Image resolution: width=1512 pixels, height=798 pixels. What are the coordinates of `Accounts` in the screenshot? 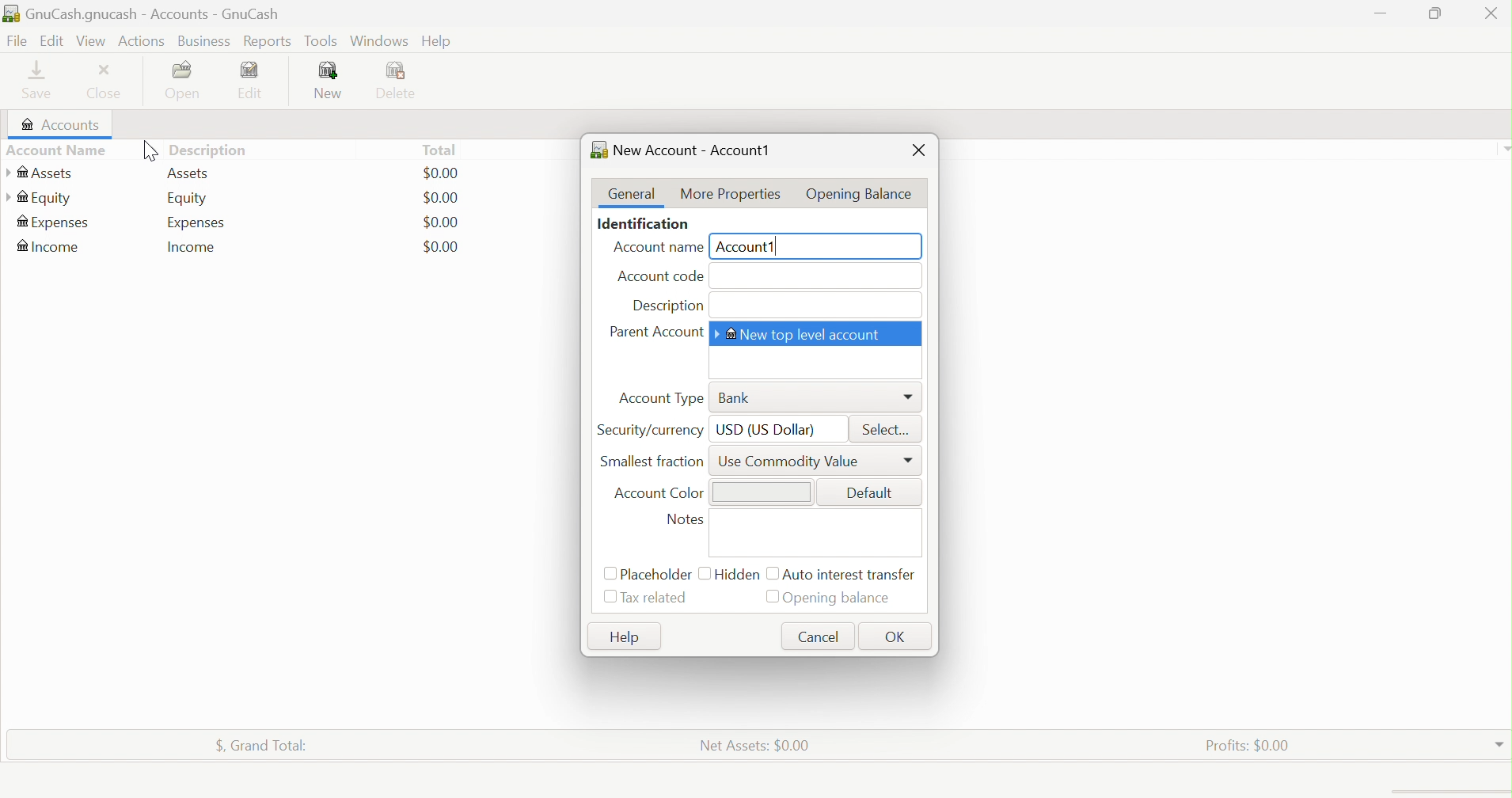 It's located at (57, 125).